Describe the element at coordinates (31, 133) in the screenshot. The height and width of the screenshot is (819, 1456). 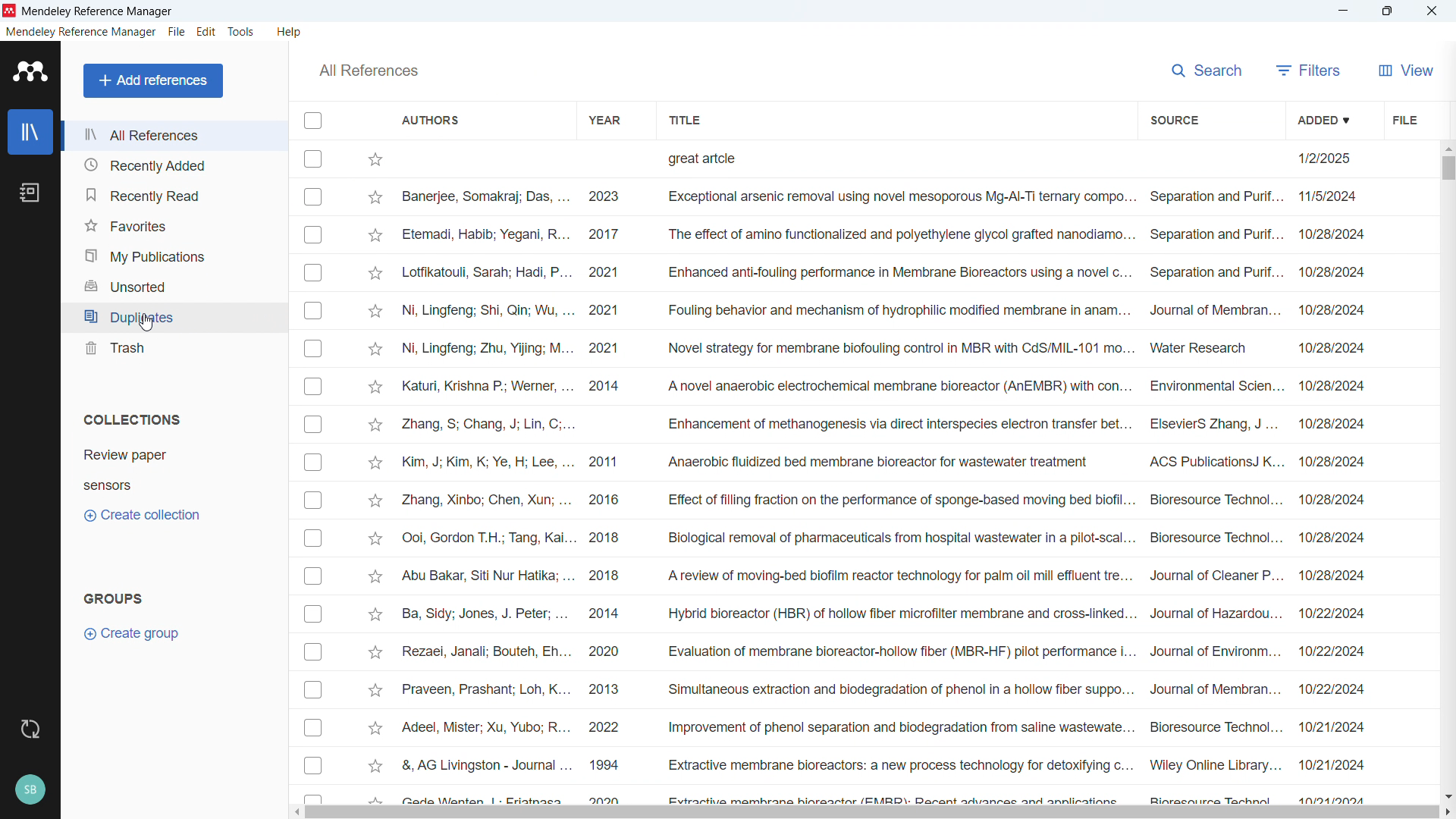
I see `Library ` at that location.